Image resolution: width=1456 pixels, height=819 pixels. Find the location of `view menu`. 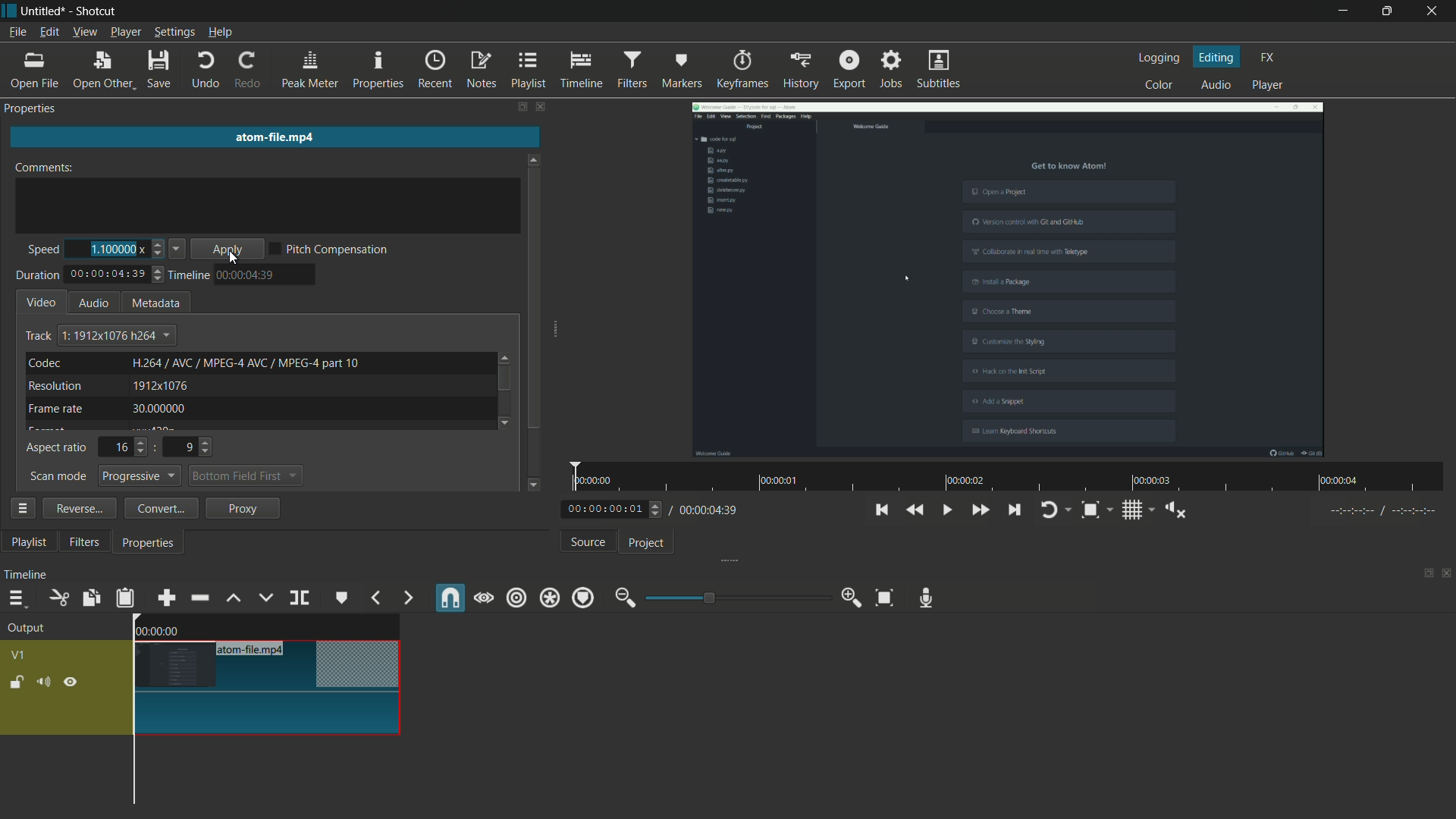

view menu is located at coordinates (86, 32).